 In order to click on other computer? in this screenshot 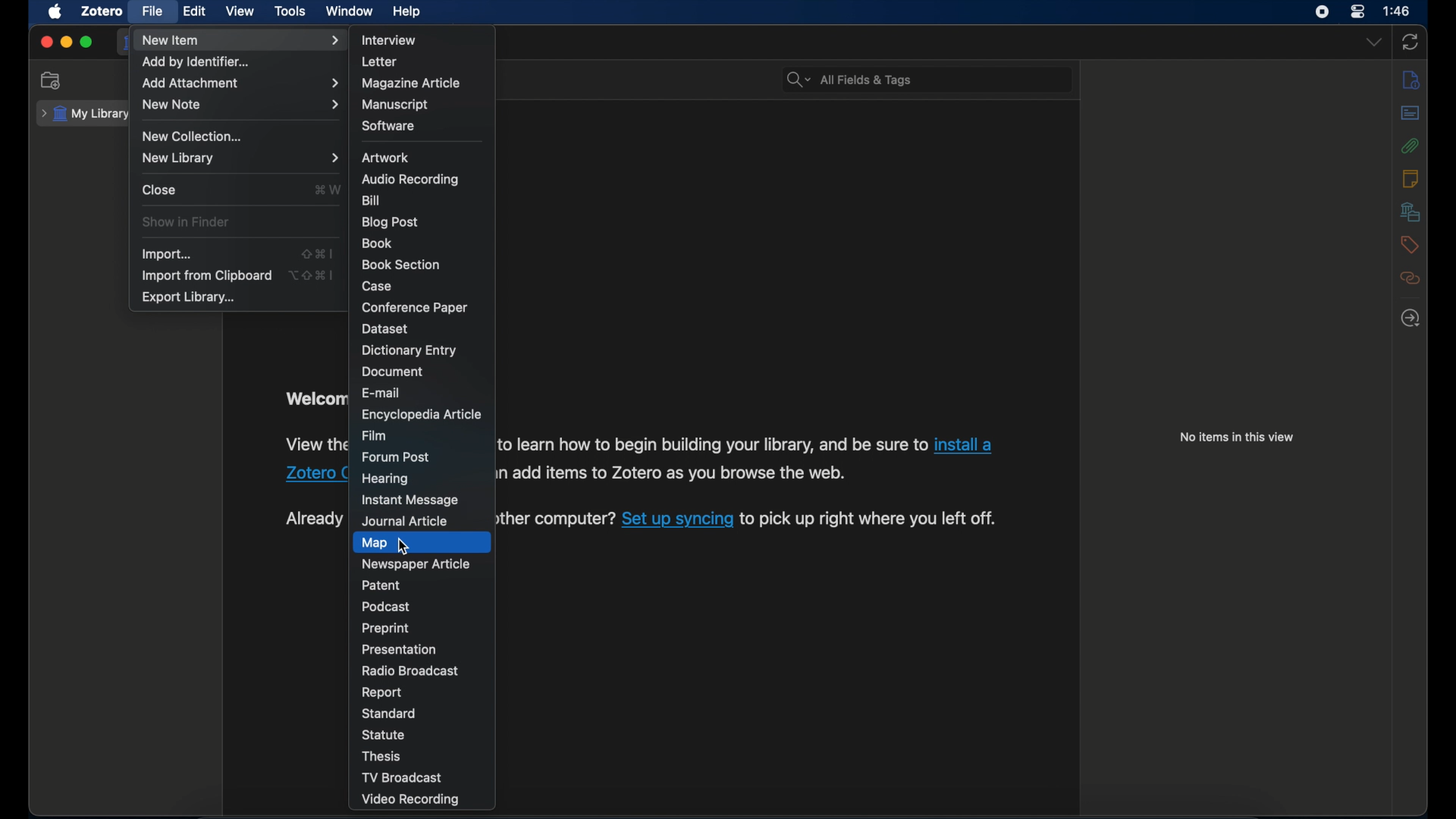, I will do `click(563, 519)`.